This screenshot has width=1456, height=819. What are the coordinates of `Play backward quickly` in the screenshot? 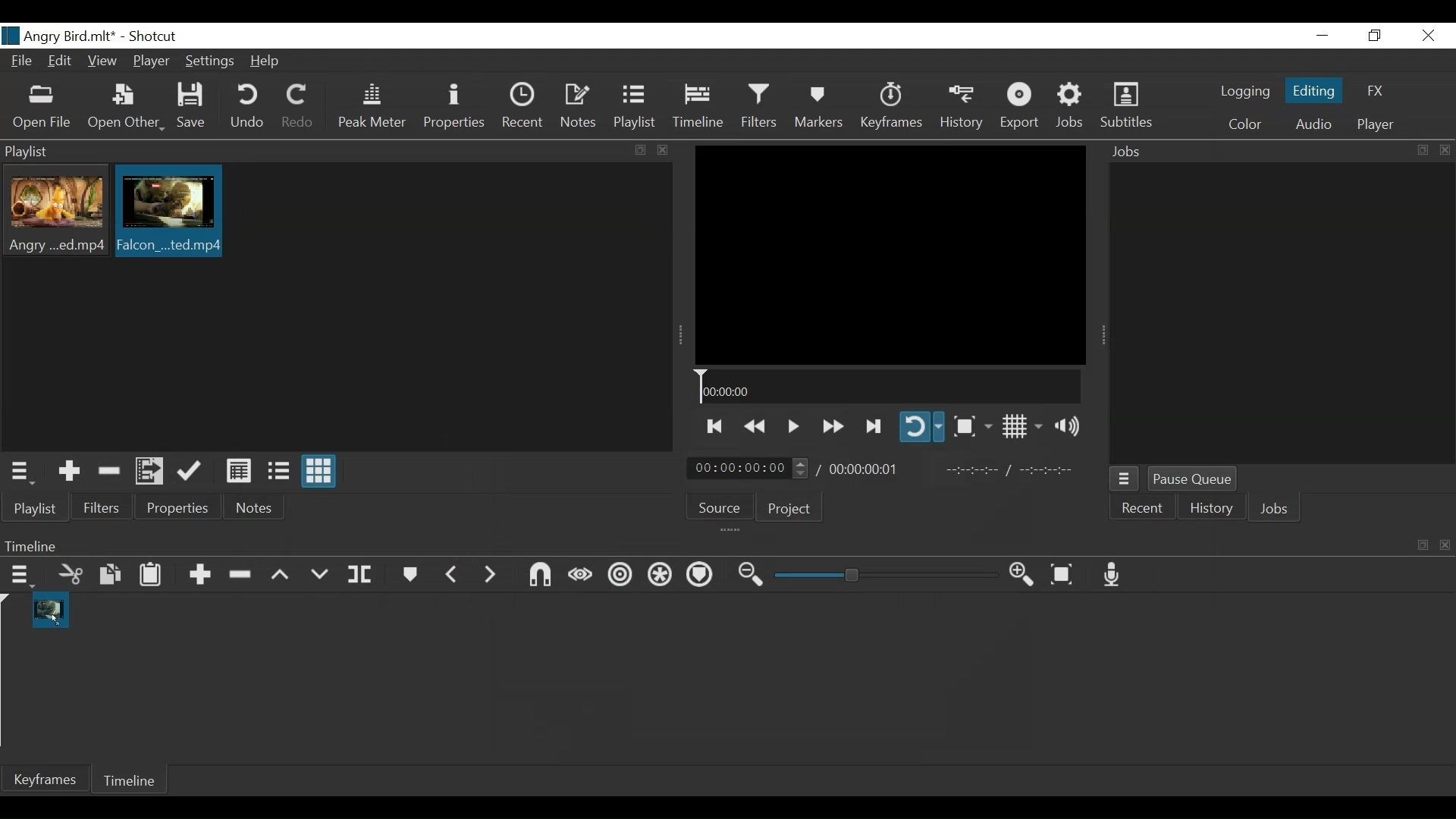 It's located at (757, 427).